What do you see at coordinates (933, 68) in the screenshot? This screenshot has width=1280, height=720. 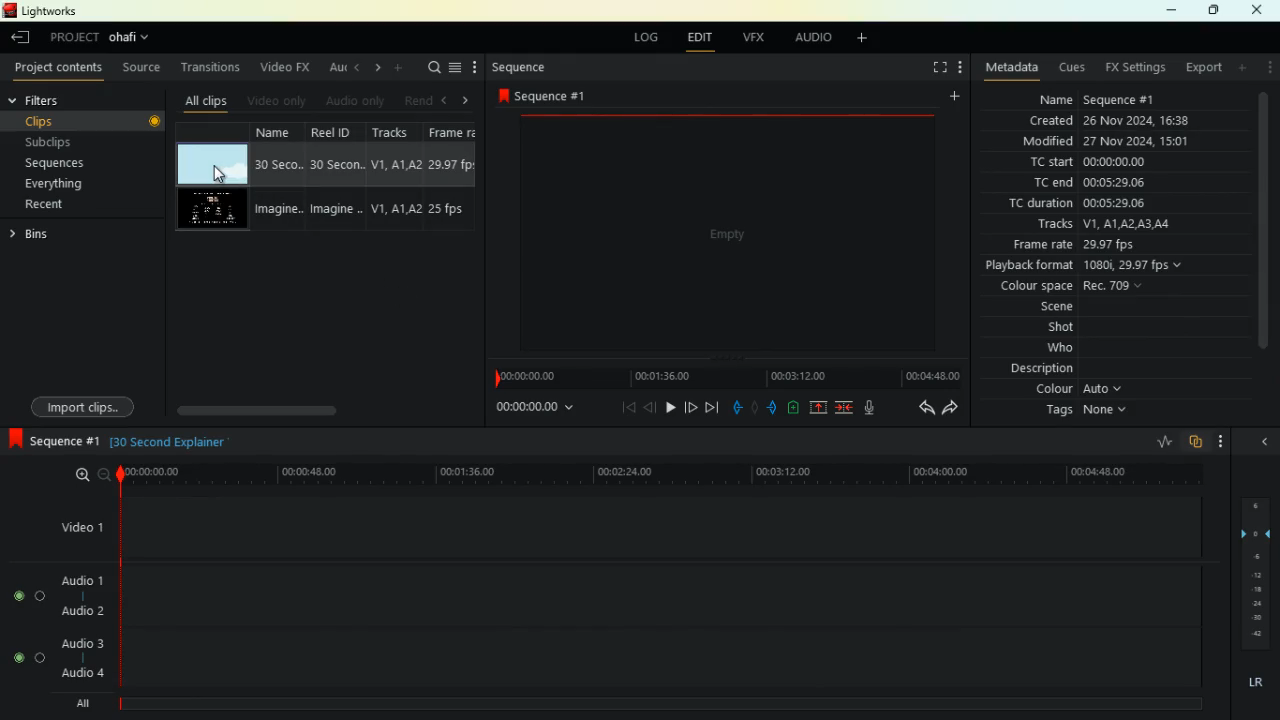 I see `fullscreen` at bounding box center [933, 68].